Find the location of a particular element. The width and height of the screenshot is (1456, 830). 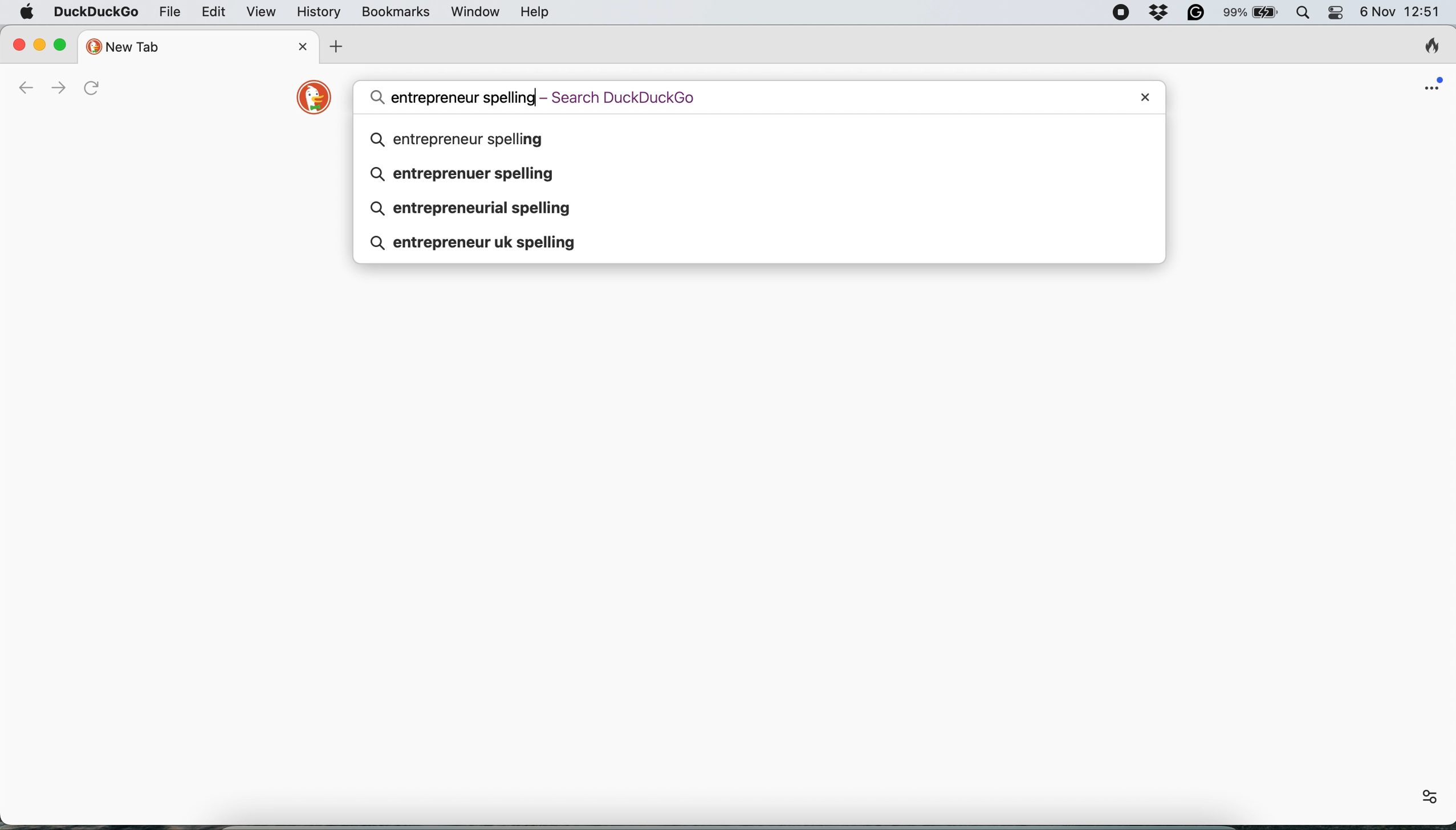

screen recorder is located at coordinates (1120, 13).